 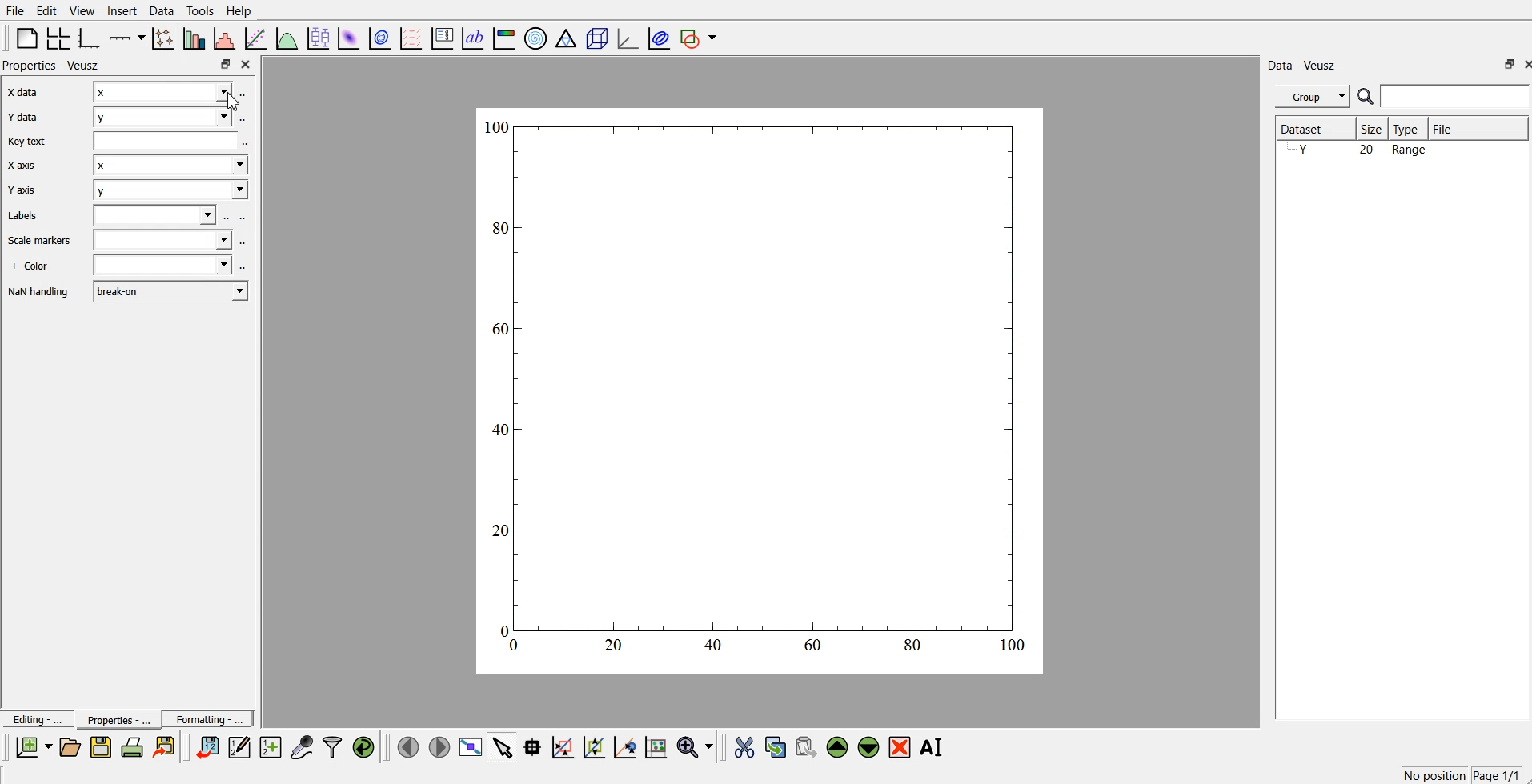 What do you see at coordinates (1460, 774) in the screenshot?
I see `No position page 1/1` at bounding box center [1460, 774].